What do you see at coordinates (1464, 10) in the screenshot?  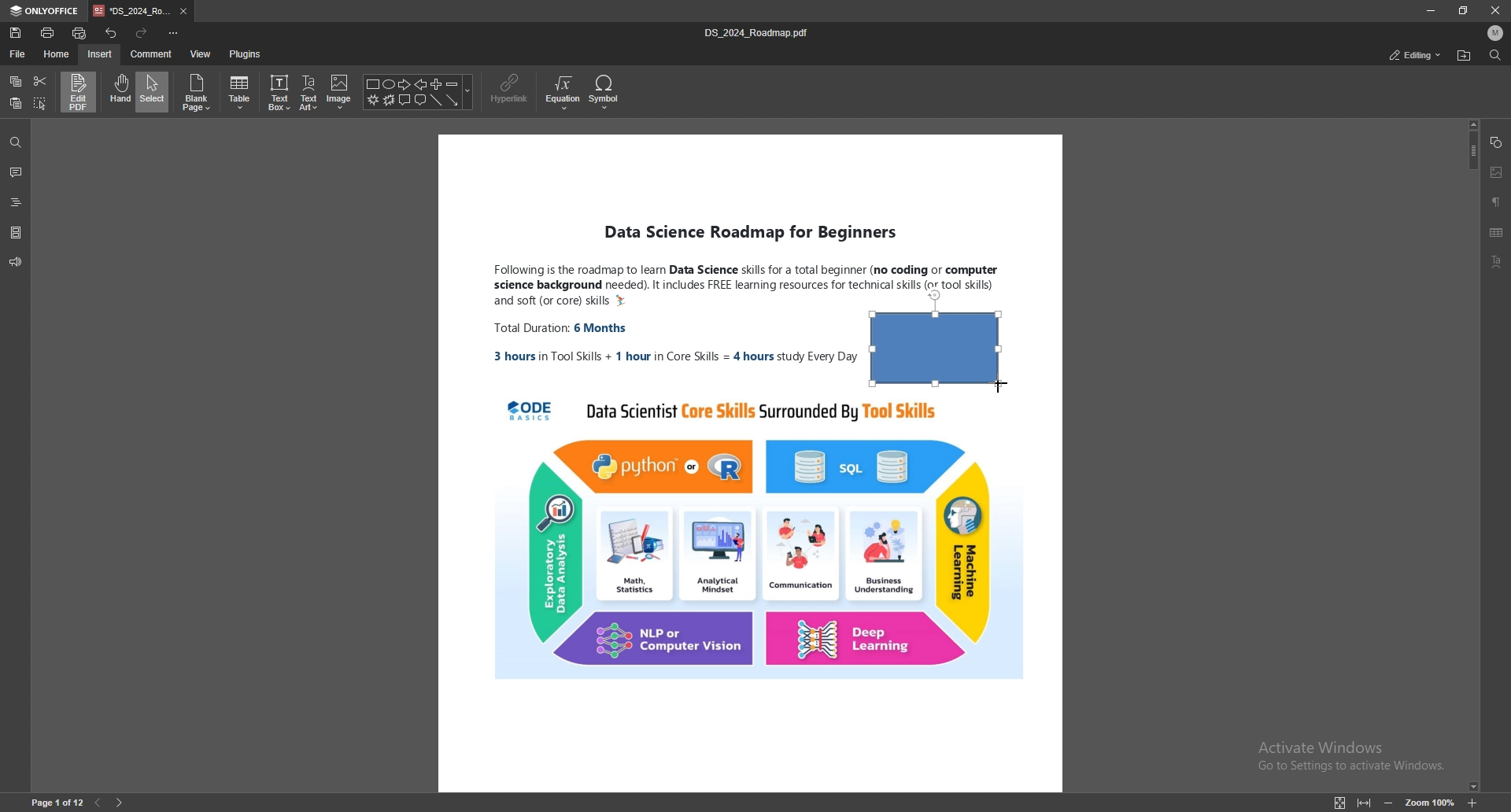 I see `resize` at bounding box center [1464, 10].